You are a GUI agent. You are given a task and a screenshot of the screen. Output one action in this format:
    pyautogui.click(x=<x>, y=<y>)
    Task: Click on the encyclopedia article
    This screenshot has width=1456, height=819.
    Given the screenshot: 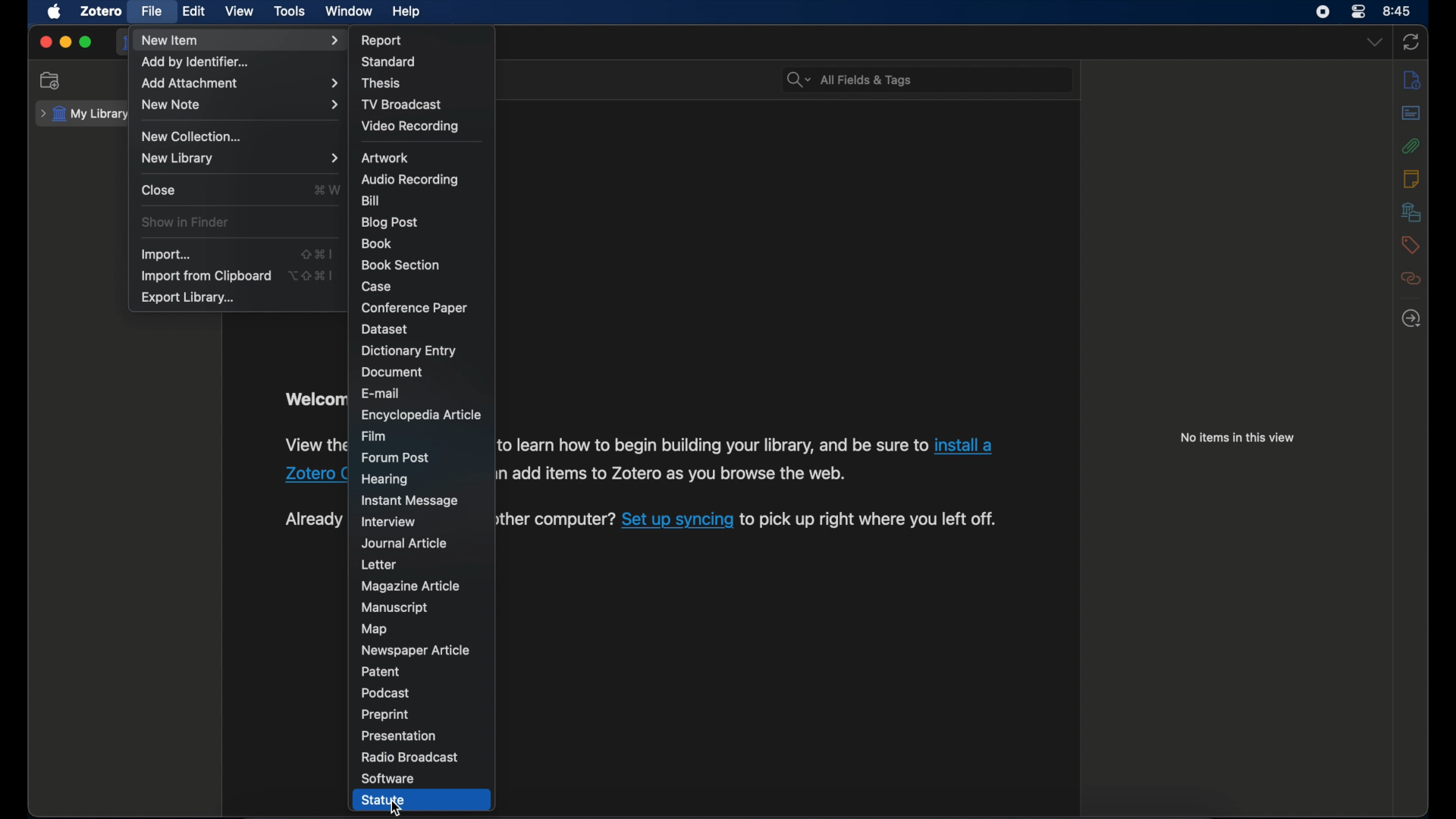 What is the action you would take?
    pyautogui.click(x=420, y=416)
    